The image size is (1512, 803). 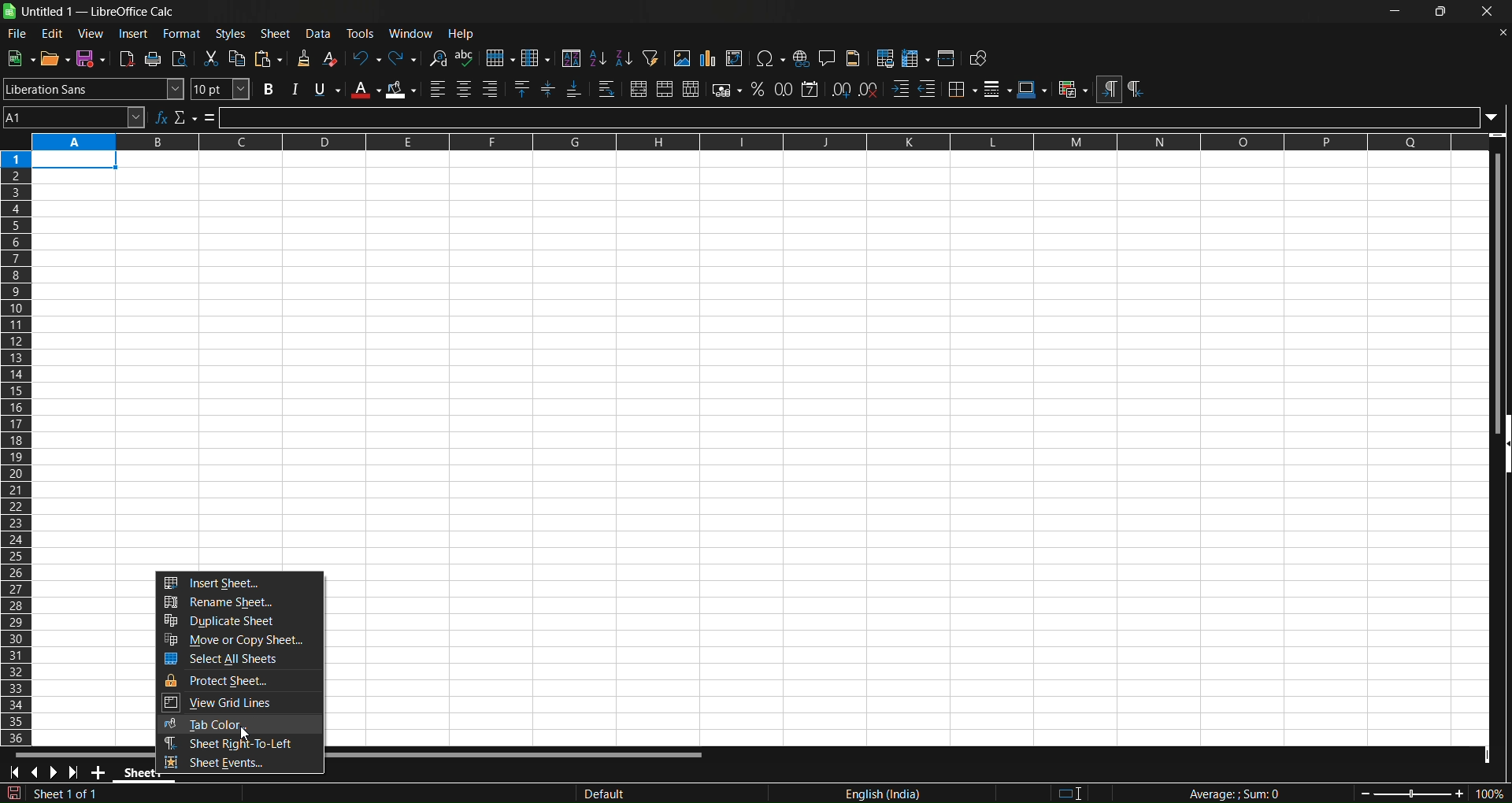 What do you see at coordinates (54, 772) in the screenshot?
I see `scroll to next sheet` at bounding box center [54, 772].